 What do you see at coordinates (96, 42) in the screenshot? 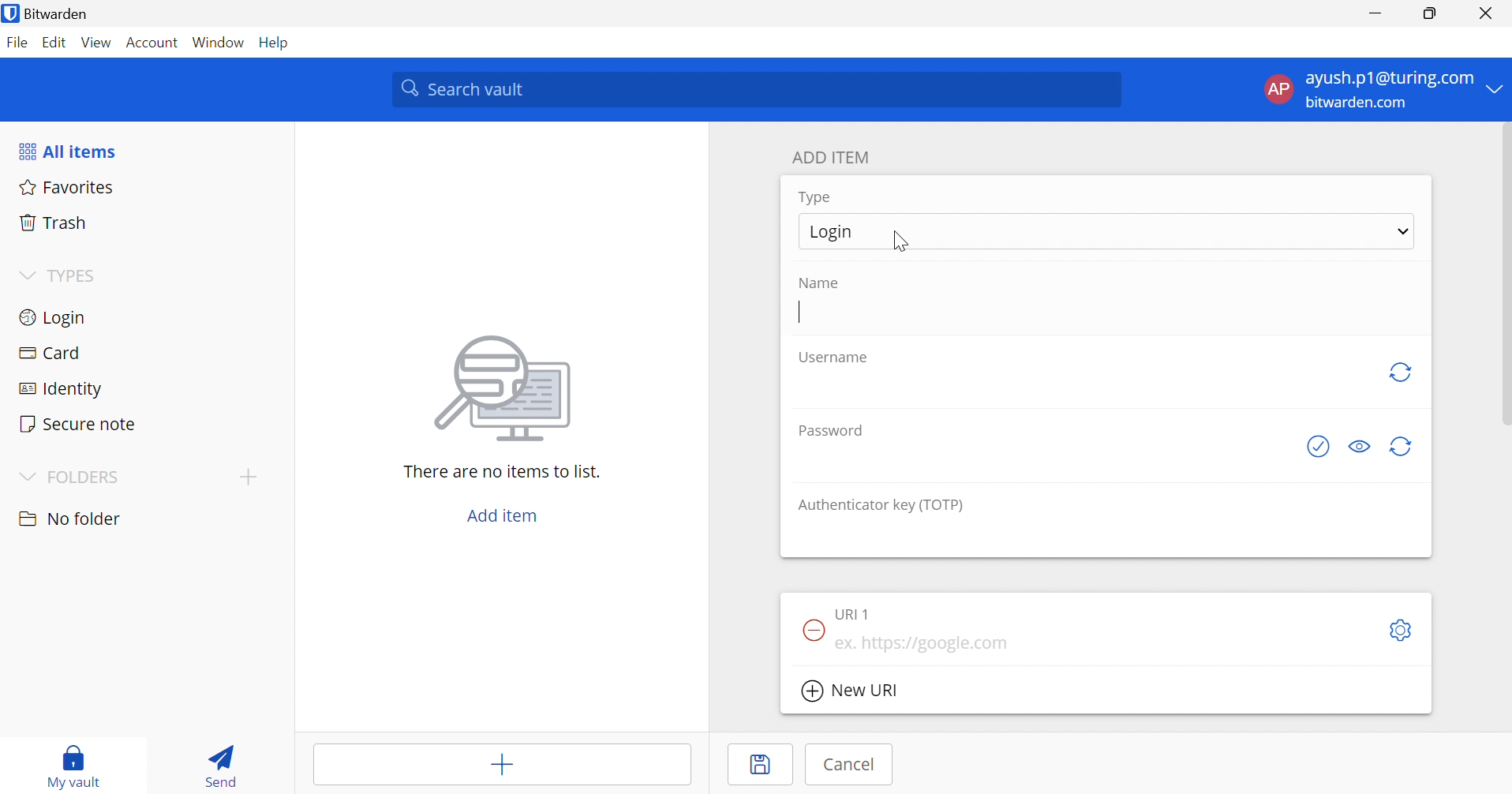
I see `View` at bounding box center [96, 42].